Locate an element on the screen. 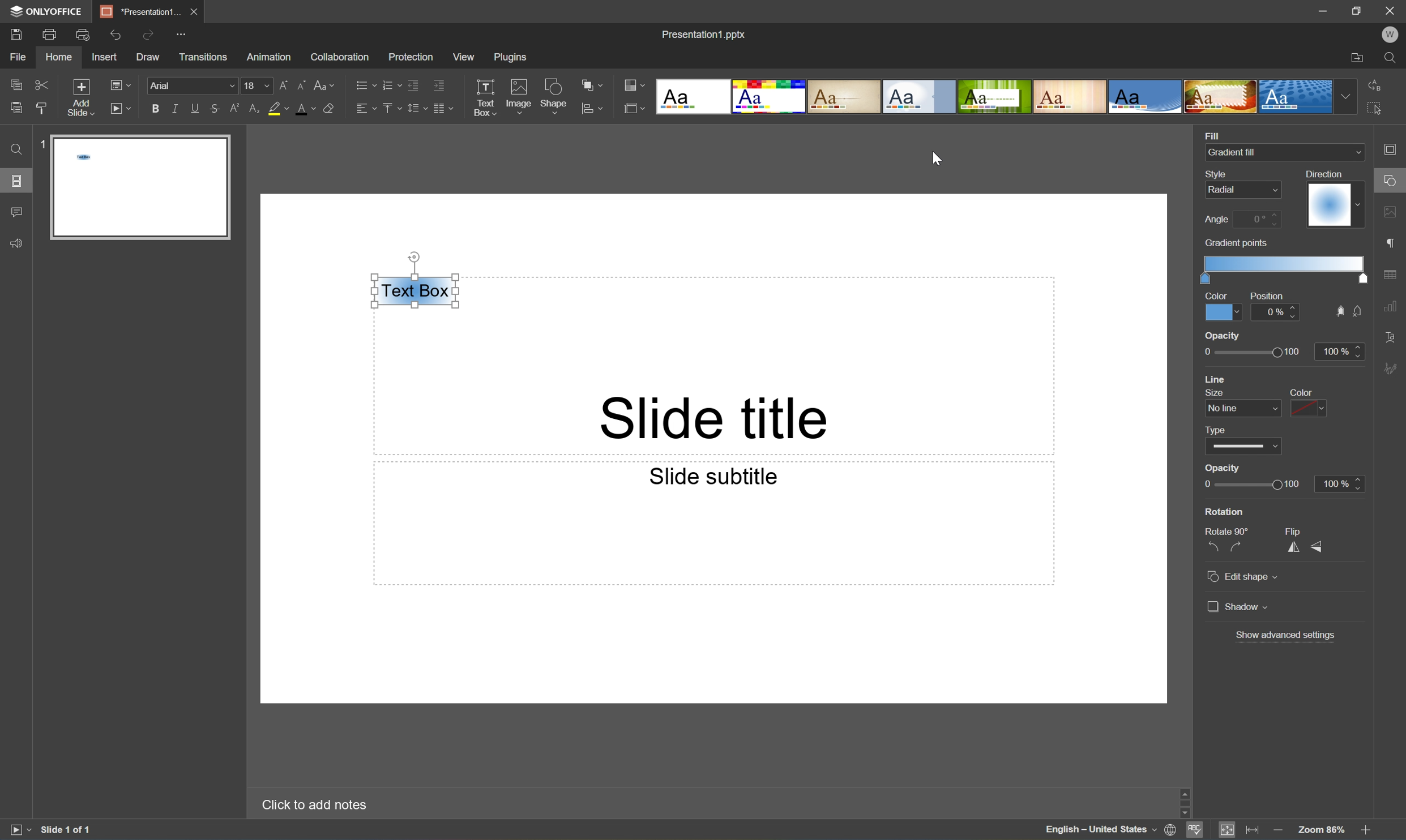 This screenshot has width=1406, height=840. Italic is located at coordinates (174, 109).